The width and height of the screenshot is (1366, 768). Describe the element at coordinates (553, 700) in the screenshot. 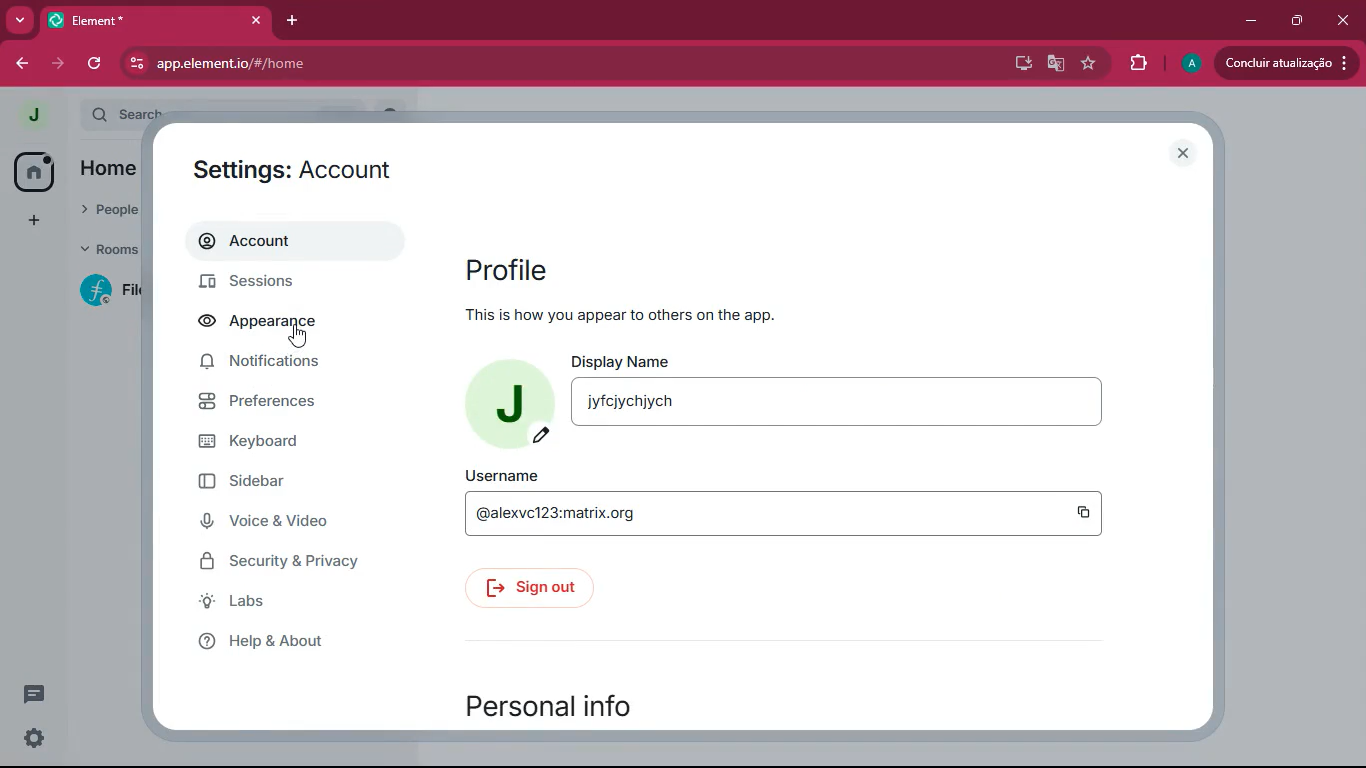

I see `Personal info` at that location.